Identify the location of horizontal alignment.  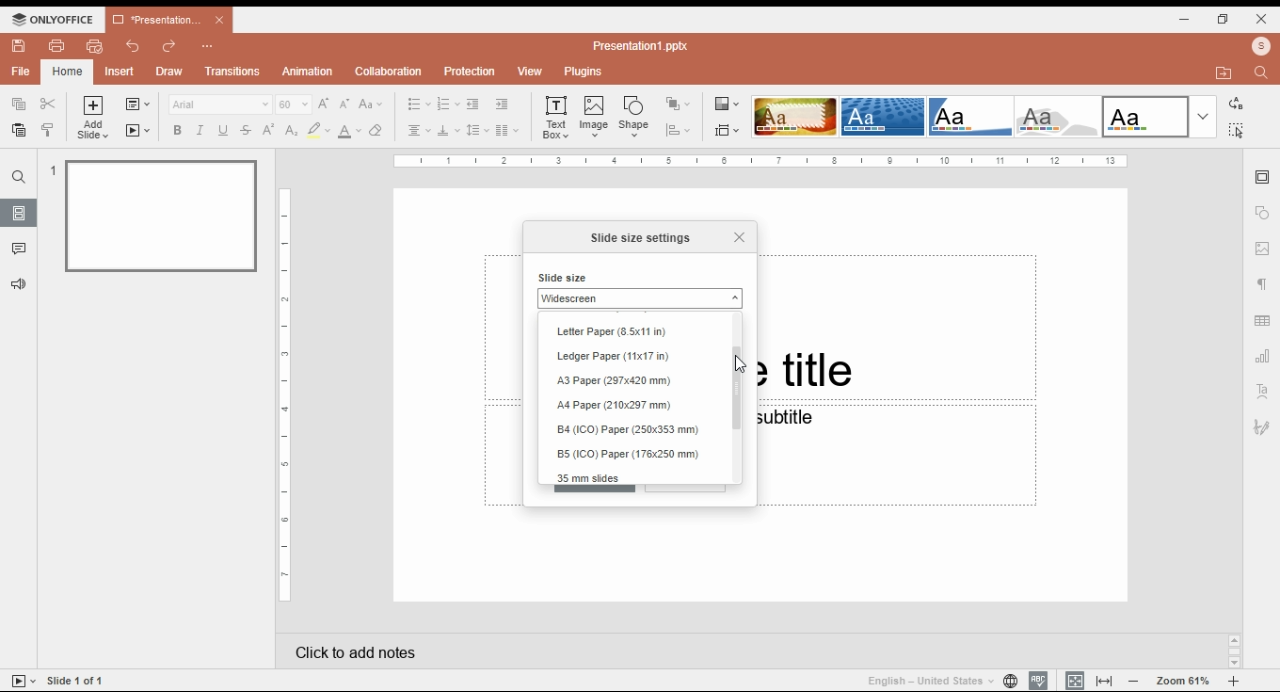
(417, 132).